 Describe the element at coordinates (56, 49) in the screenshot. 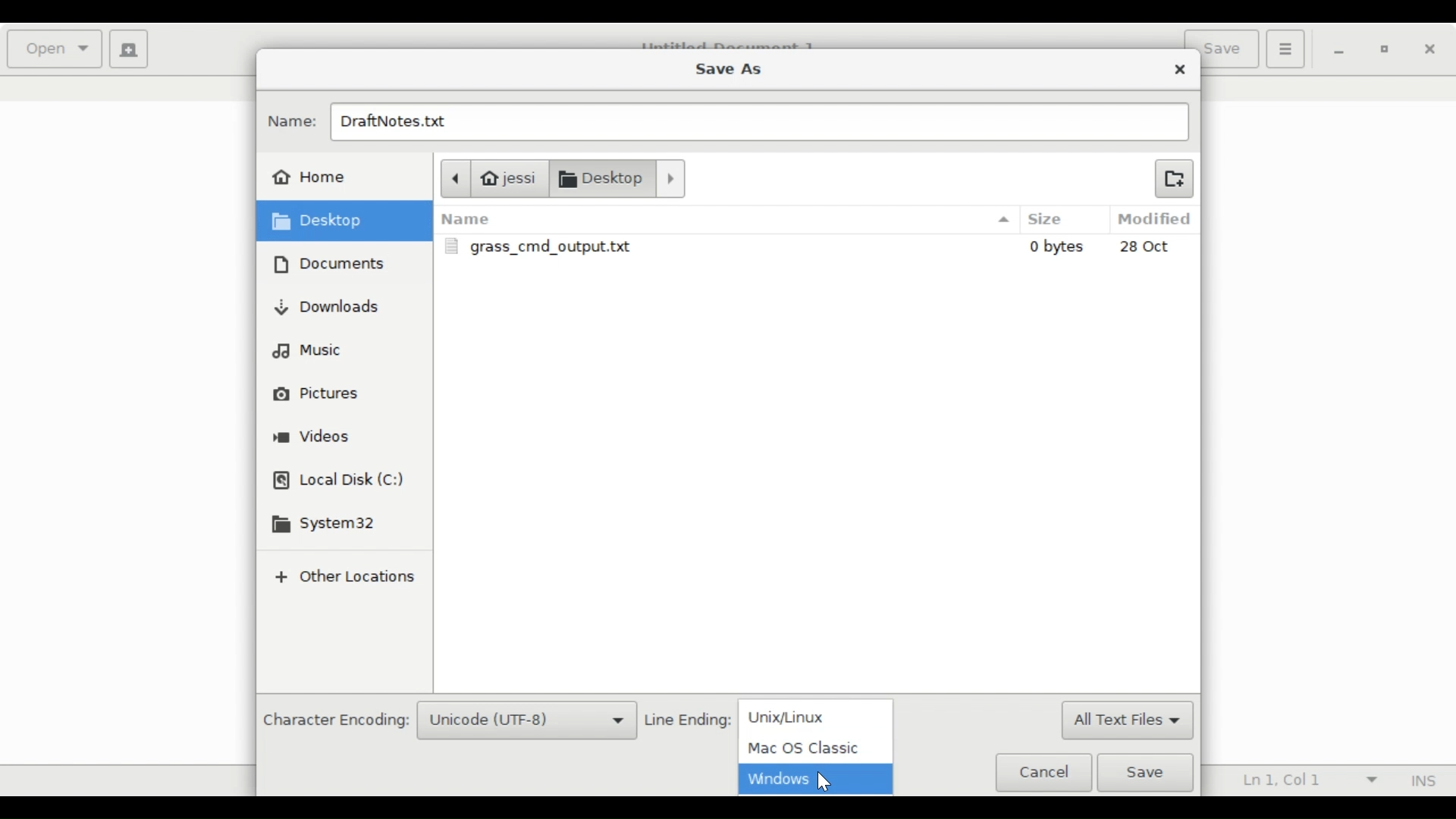

I see `Open` at that location.